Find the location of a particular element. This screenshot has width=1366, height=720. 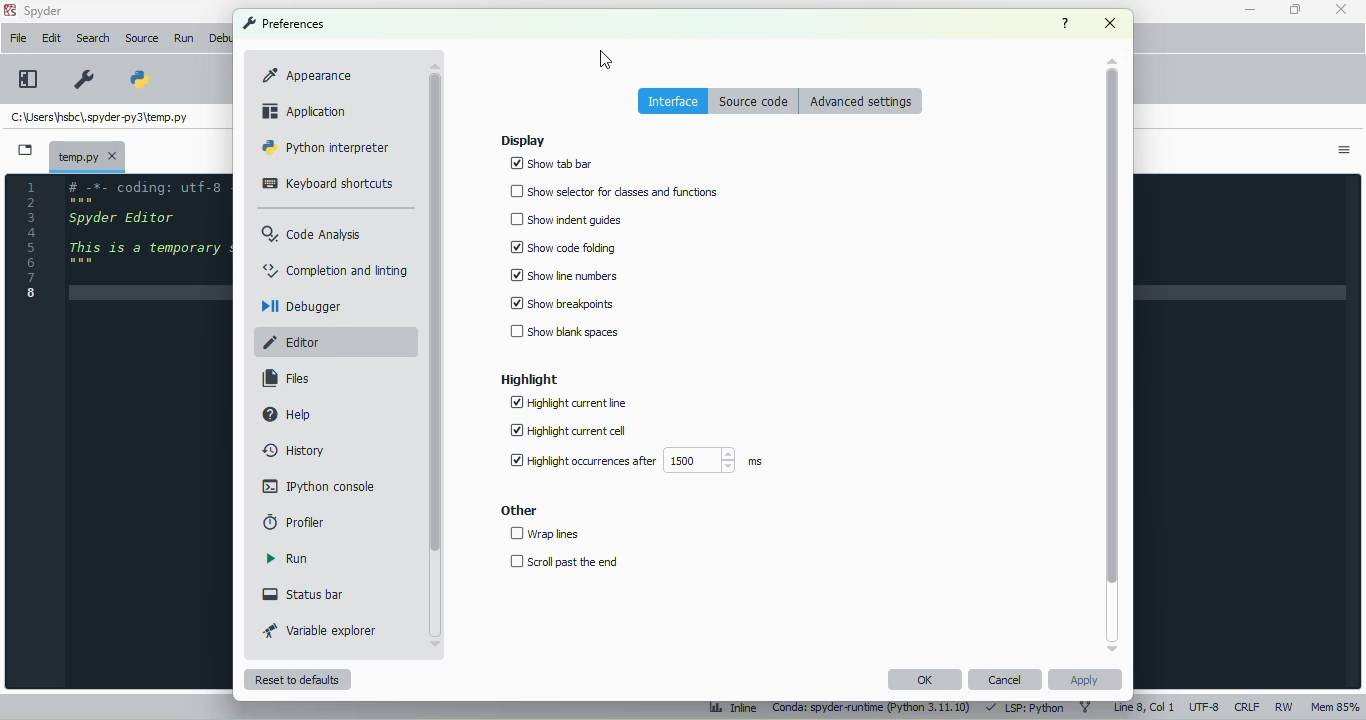

show blank spaces is located at coordinates (563, 331).